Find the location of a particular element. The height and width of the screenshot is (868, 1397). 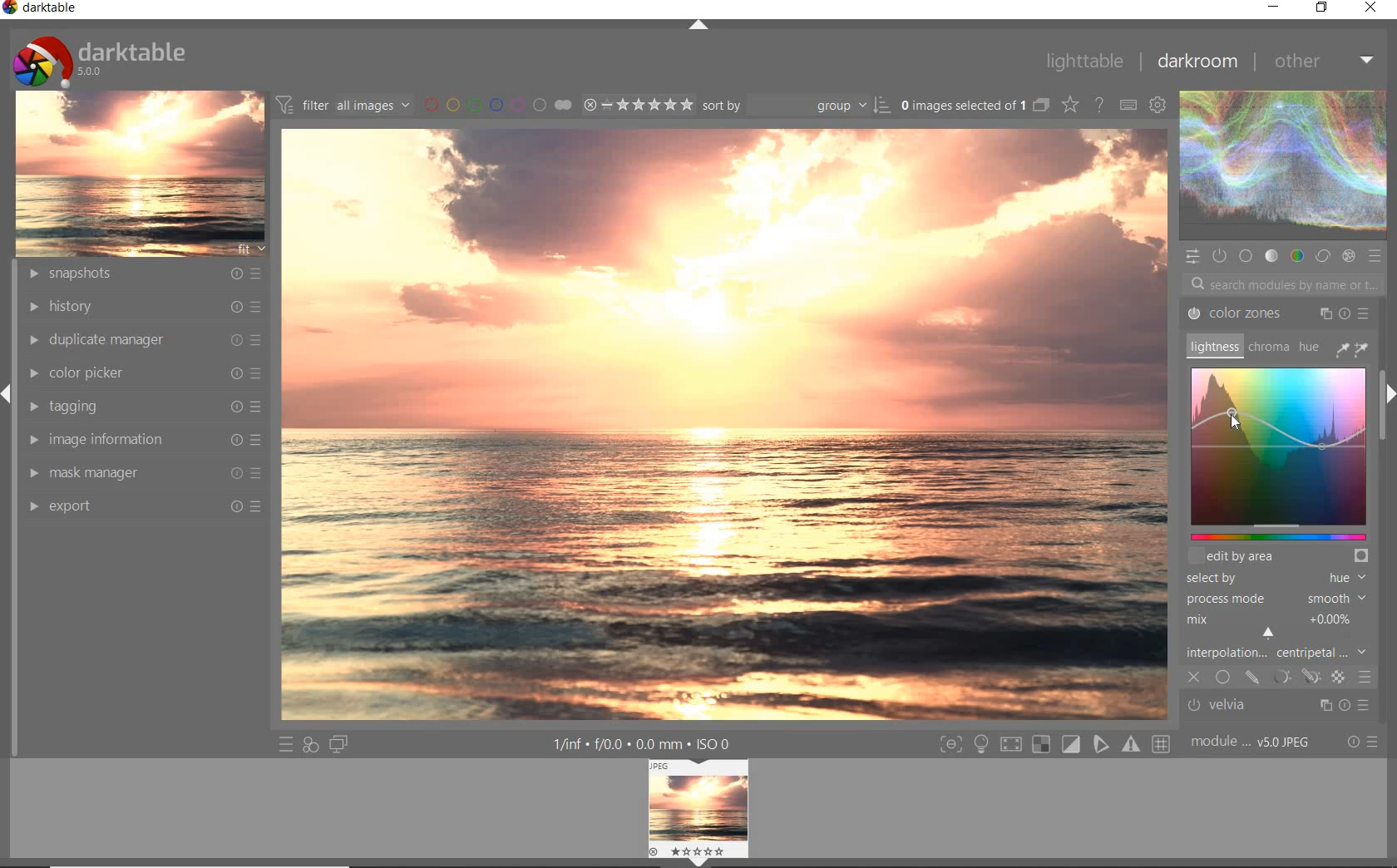

EXPORT is located at coordinates (146, 505).